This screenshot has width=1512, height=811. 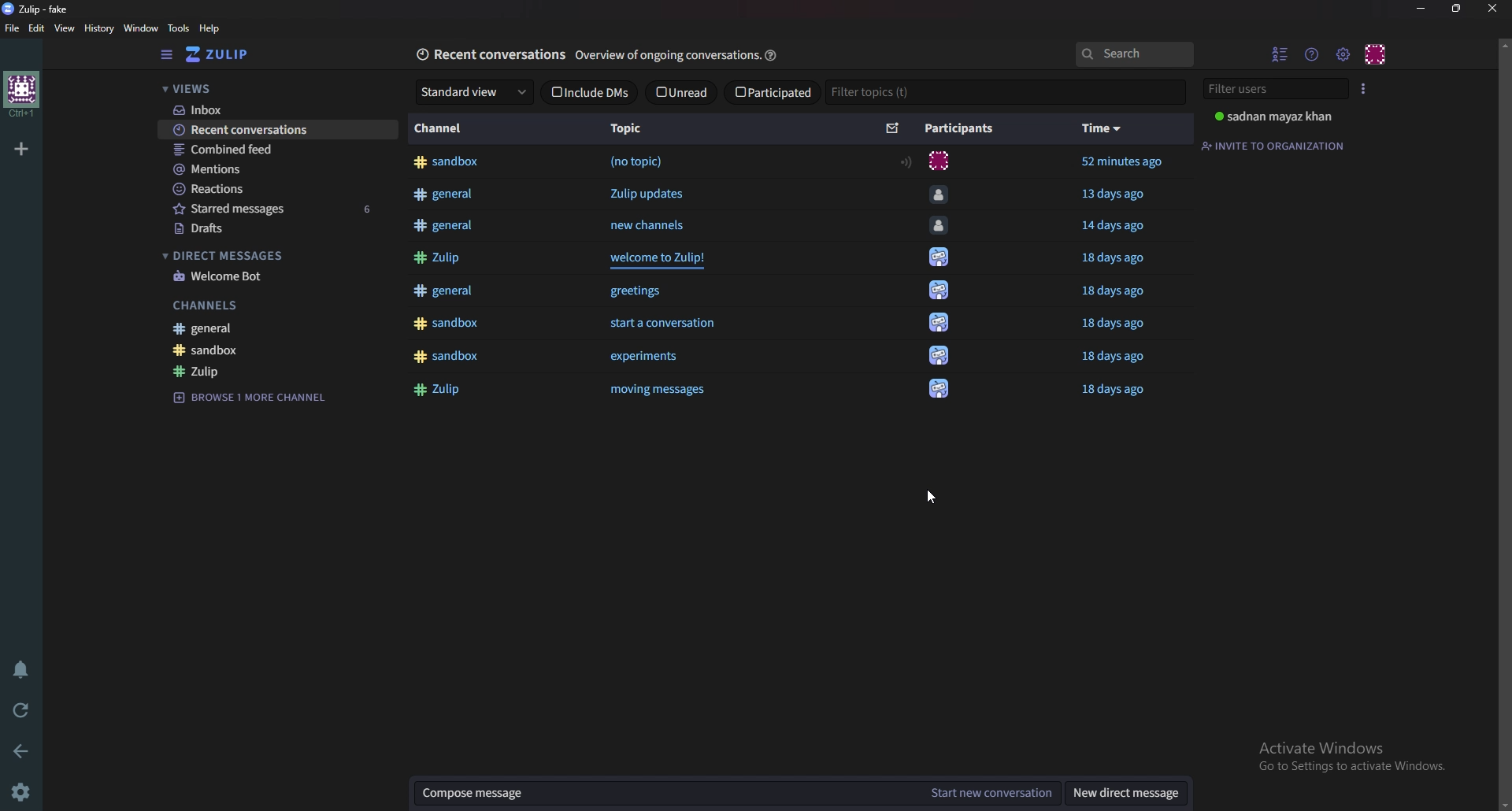 What do you see at coordinates (261, 369) in the screenshot?
I see `zulip` at bounding box center [261, 369].